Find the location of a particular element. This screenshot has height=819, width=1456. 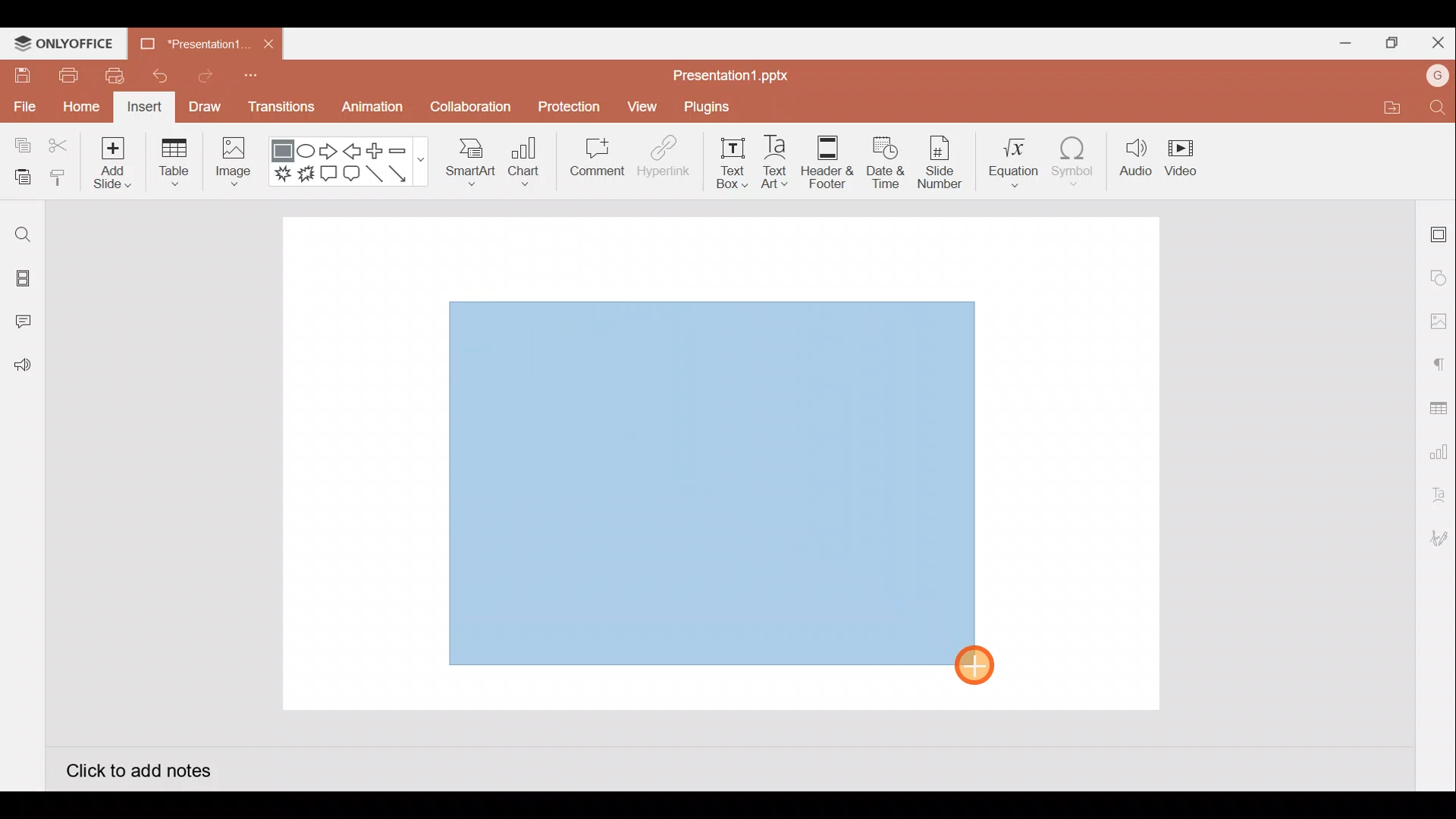

Rectangular callout is located at coordinates (329, 174).